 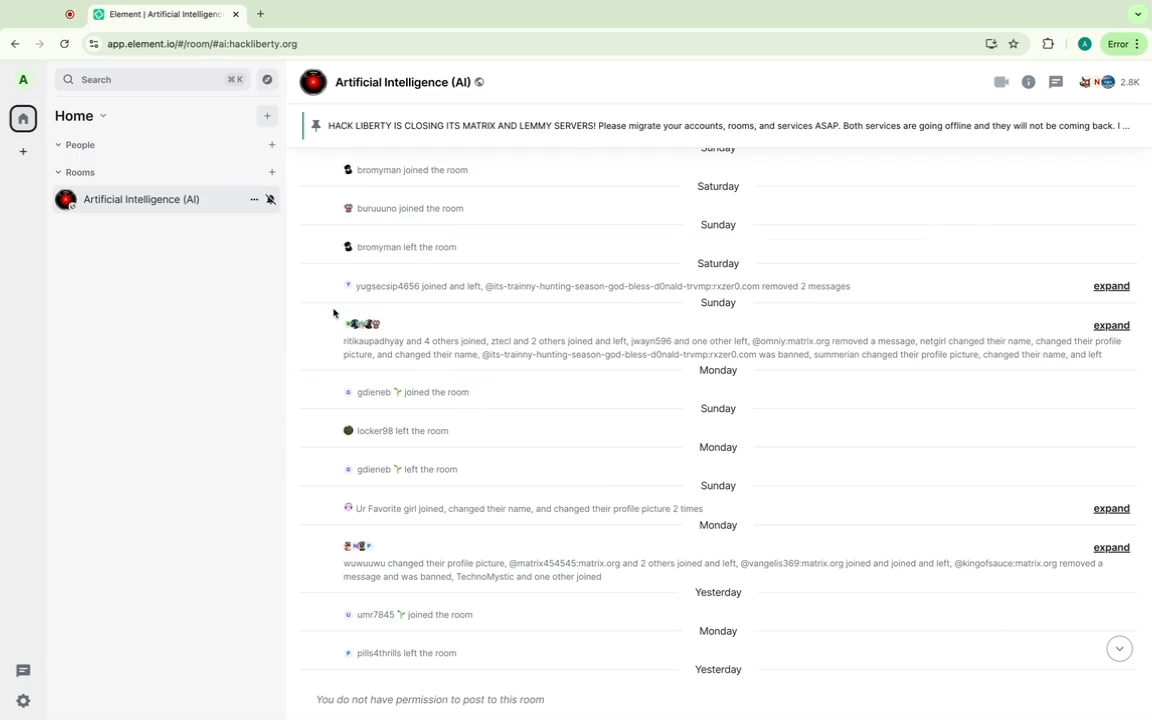 I want to click on Message, so click(x=645, y=285).